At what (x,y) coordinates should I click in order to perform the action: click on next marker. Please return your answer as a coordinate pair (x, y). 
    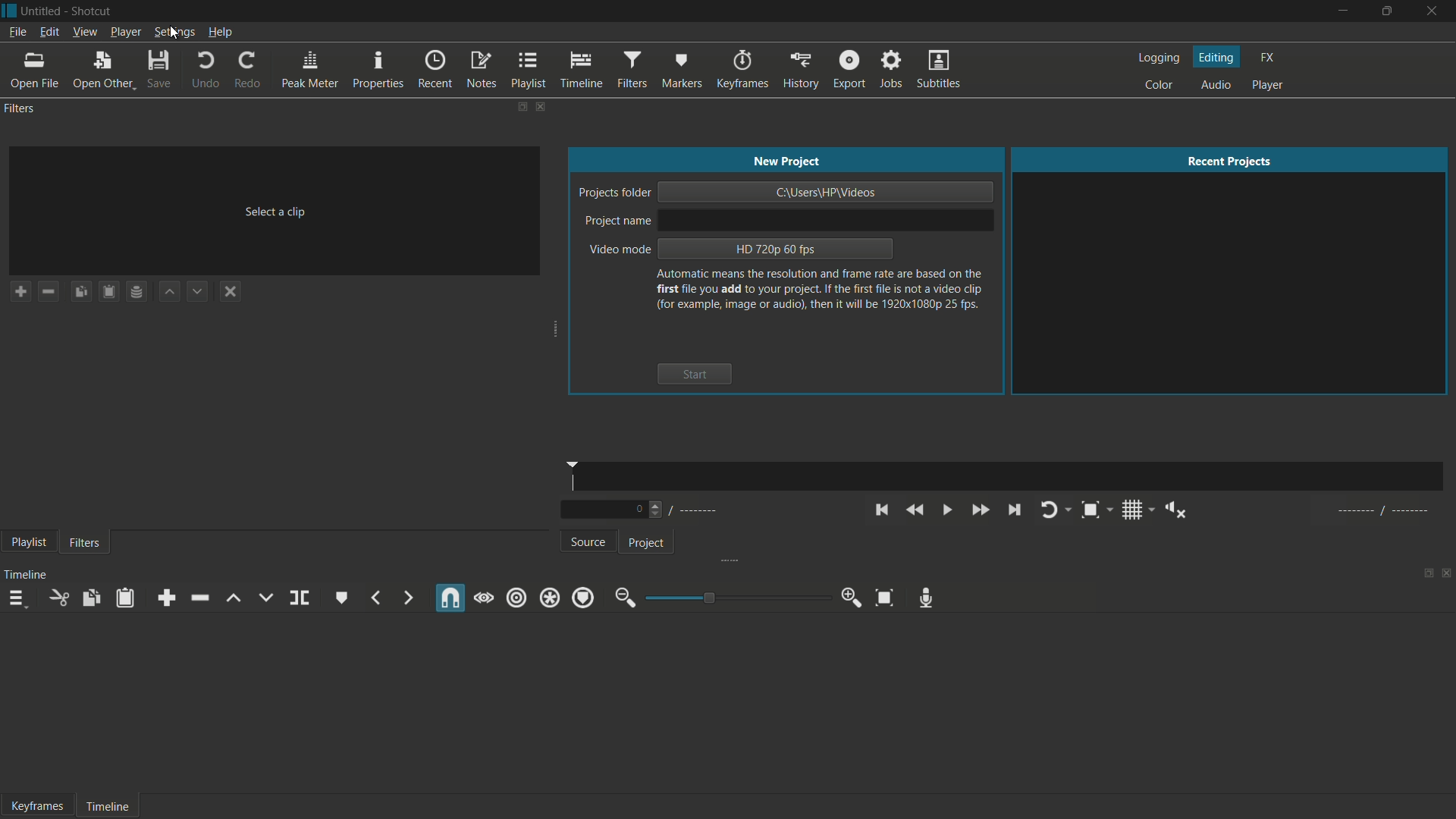
    Looking at the image, I should click on (406, 598).